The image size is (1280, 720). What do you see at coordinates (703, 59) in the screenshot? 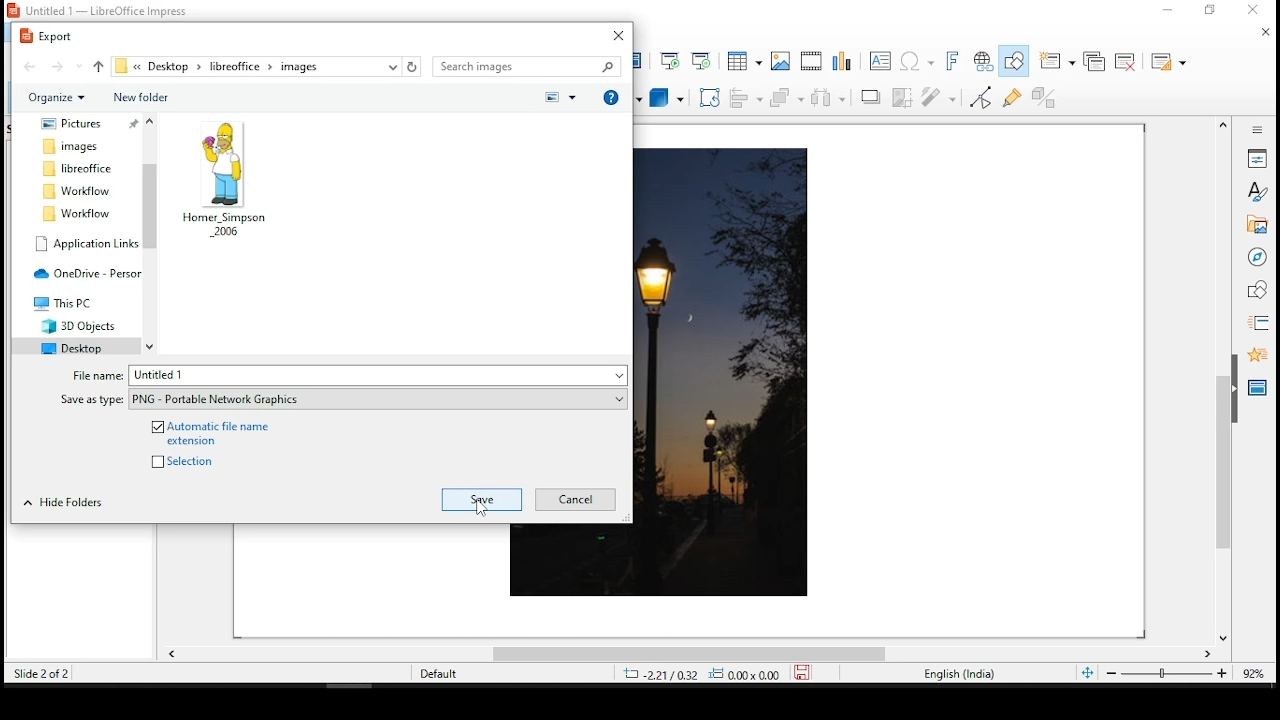
I see `start from current slide` at bounding box center [703, 59].